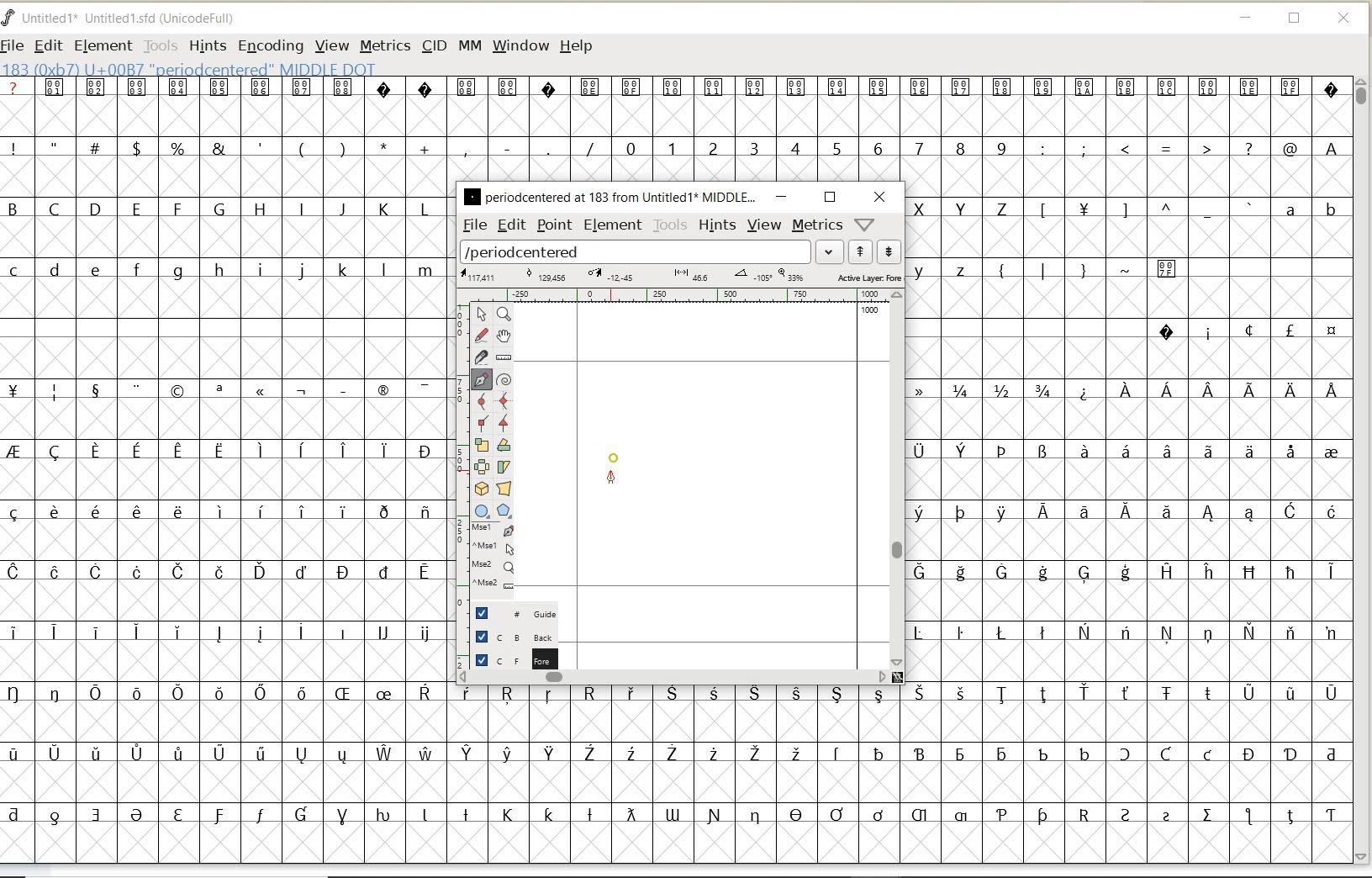 The image size is (1372, 878). Describe the element at coordinates (510, 225) in the screenshot. I see `edit` at that location.